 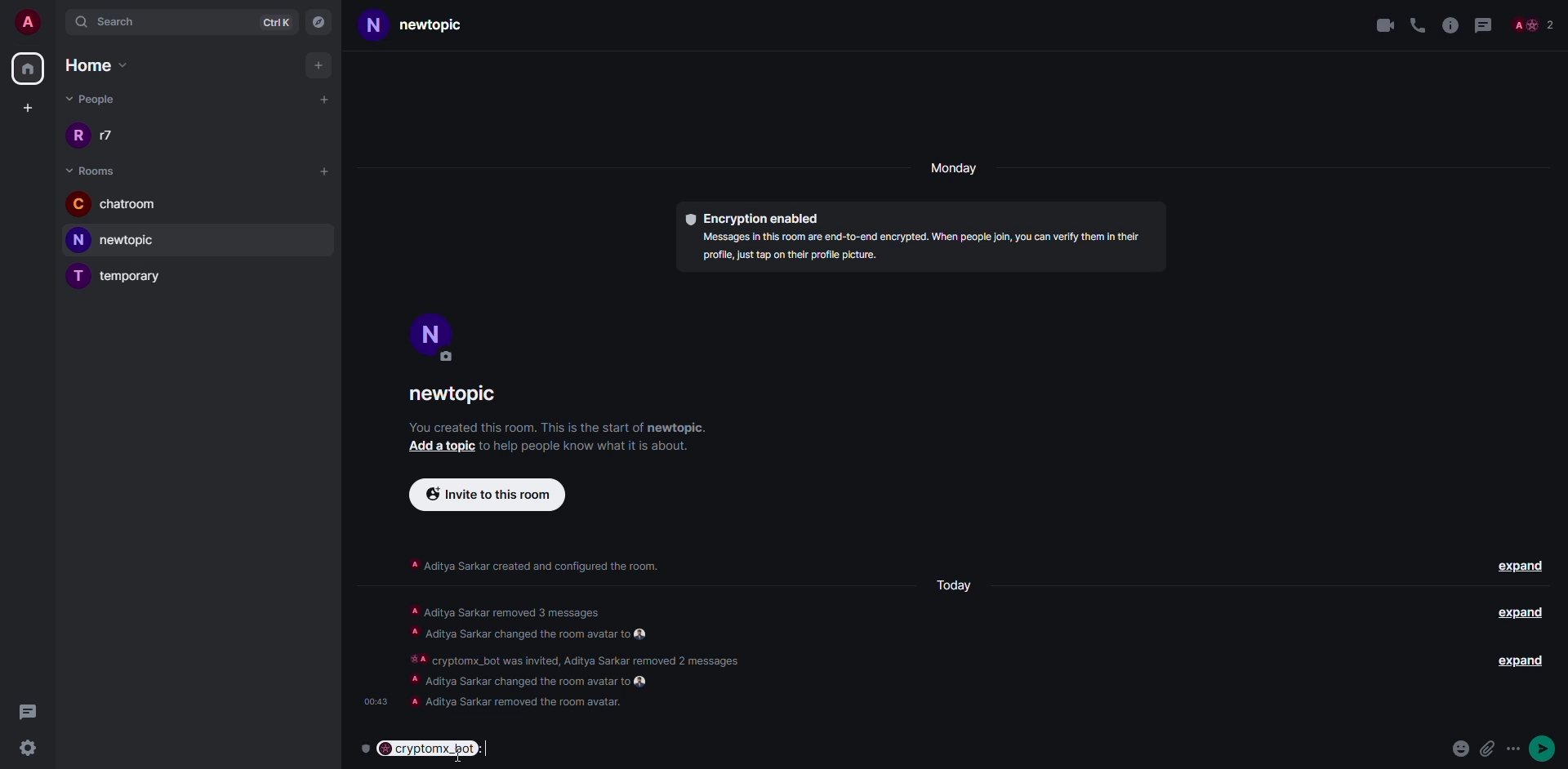 What do you see at coordinates (1532, 26) in the screenshot?
I see `people` at bounding box center [1532, 26].